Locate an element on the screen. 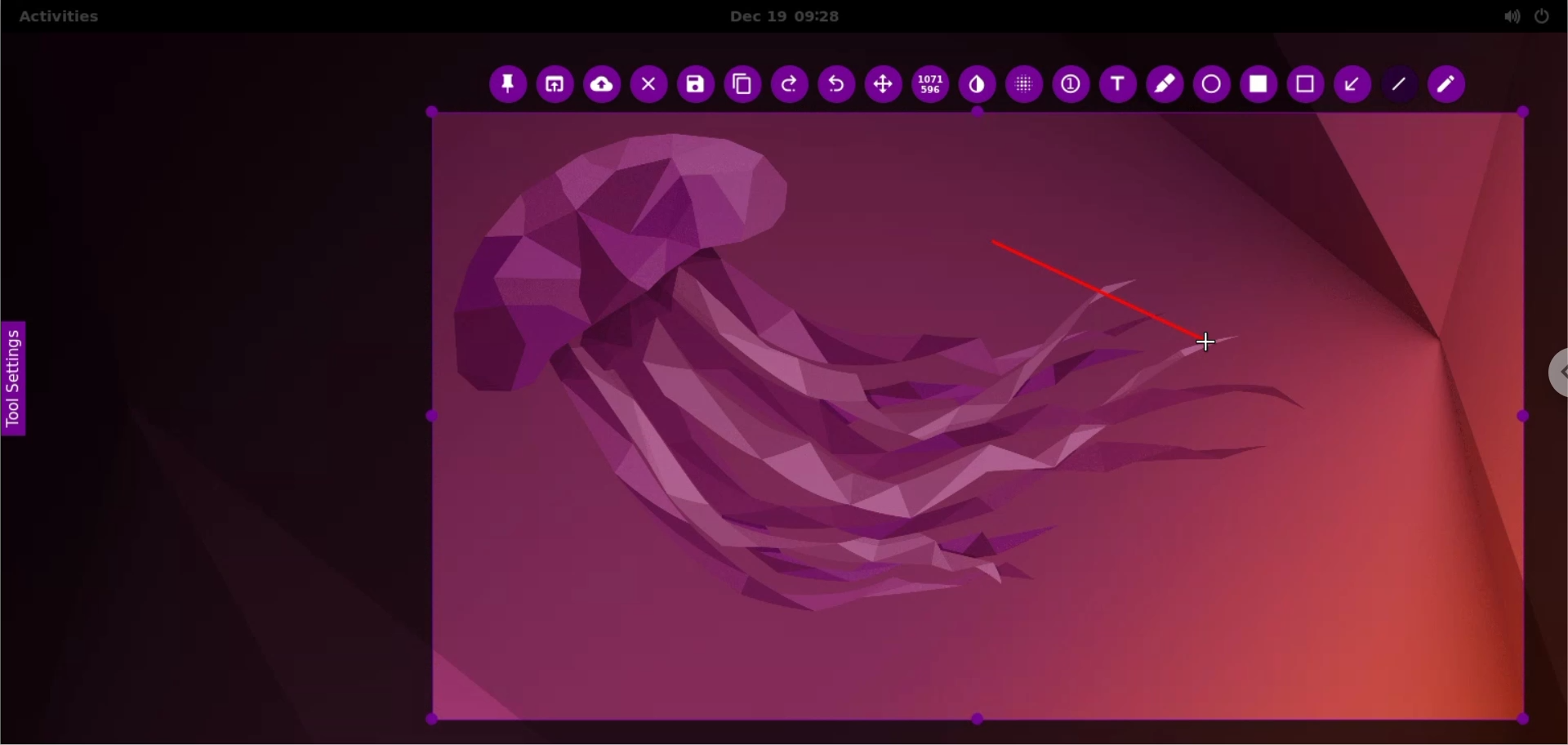  x and y coordinates values is located at coordinates (932, 85).